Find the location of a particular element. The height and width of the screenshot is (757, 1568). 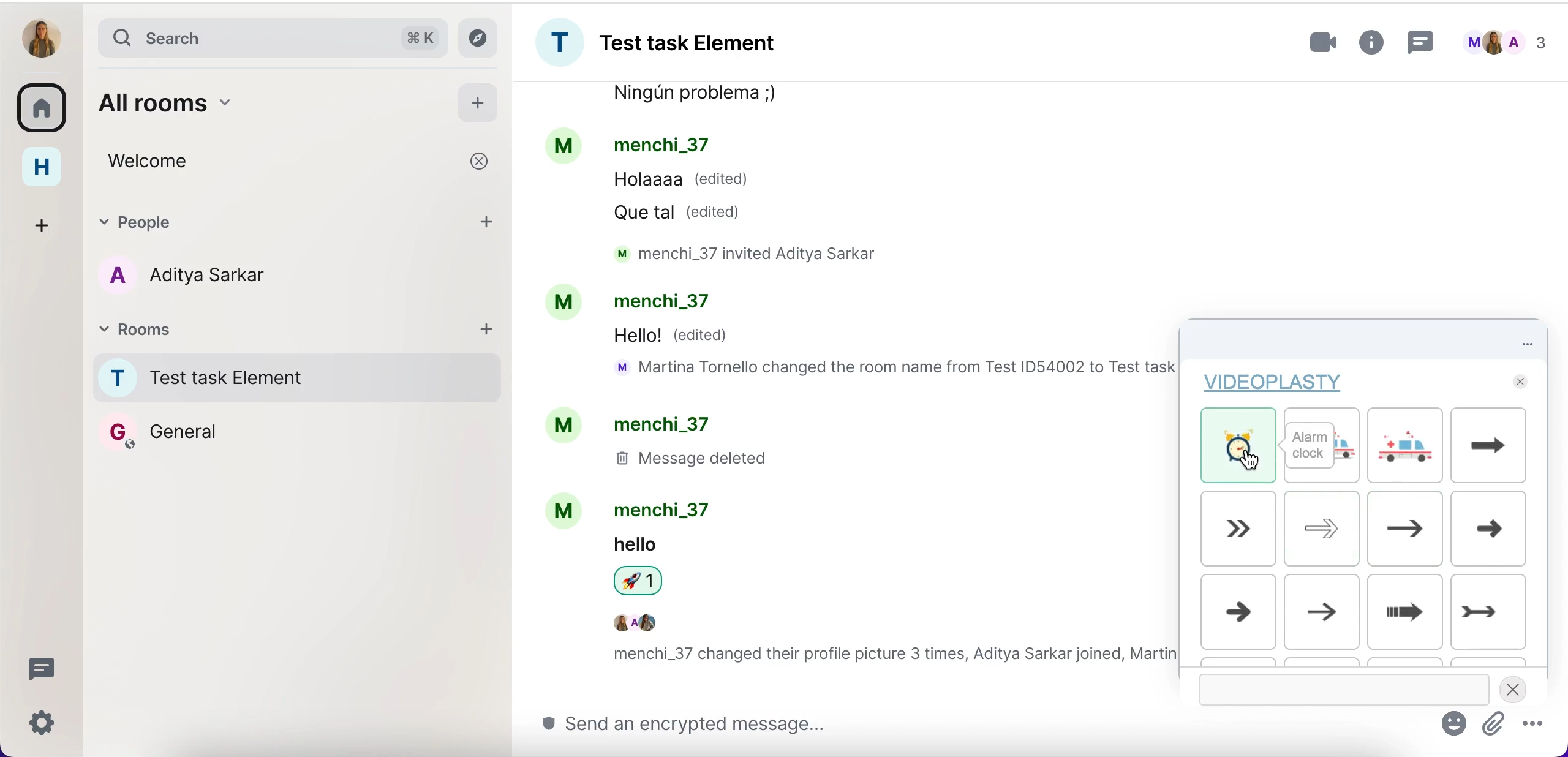

add is located at coordinates (492, 222).